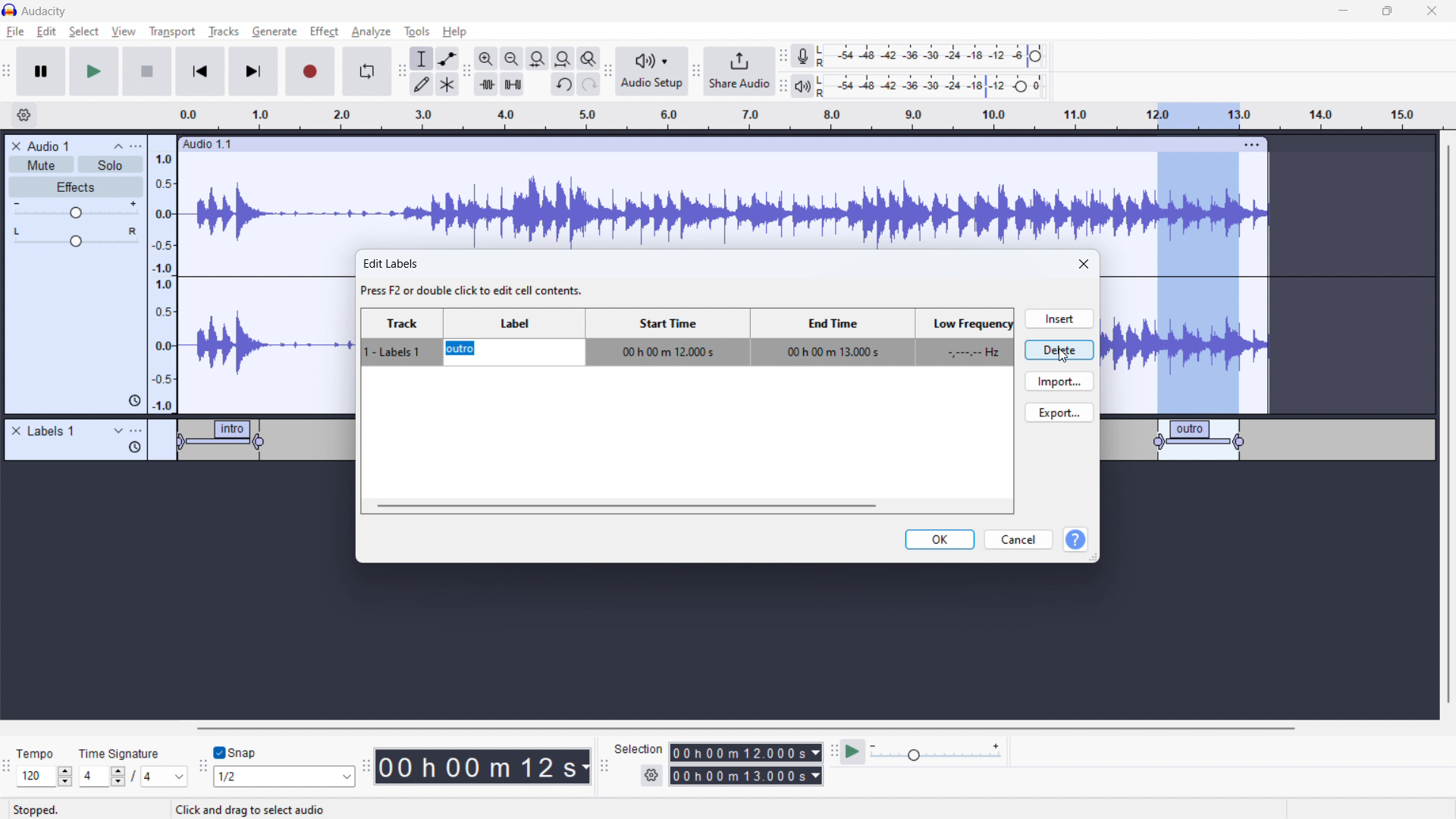  Describe the element at coordinates (147, 71) in the screenshot. I see `stop` at that location.